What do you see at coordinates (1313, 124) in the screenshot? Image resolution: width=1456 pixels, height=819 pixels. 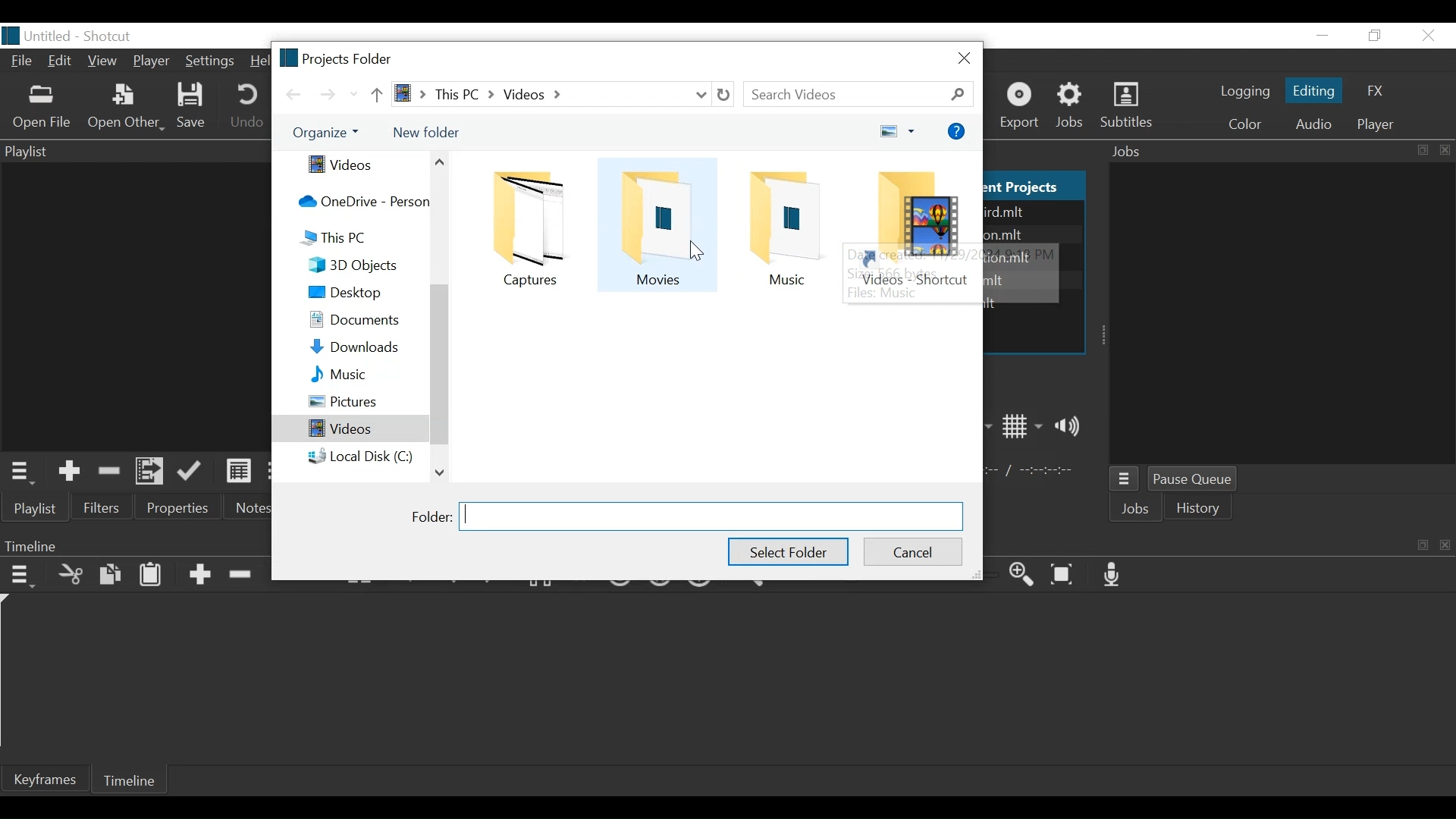 I see `Audio` at bounding box center [1313, 124].